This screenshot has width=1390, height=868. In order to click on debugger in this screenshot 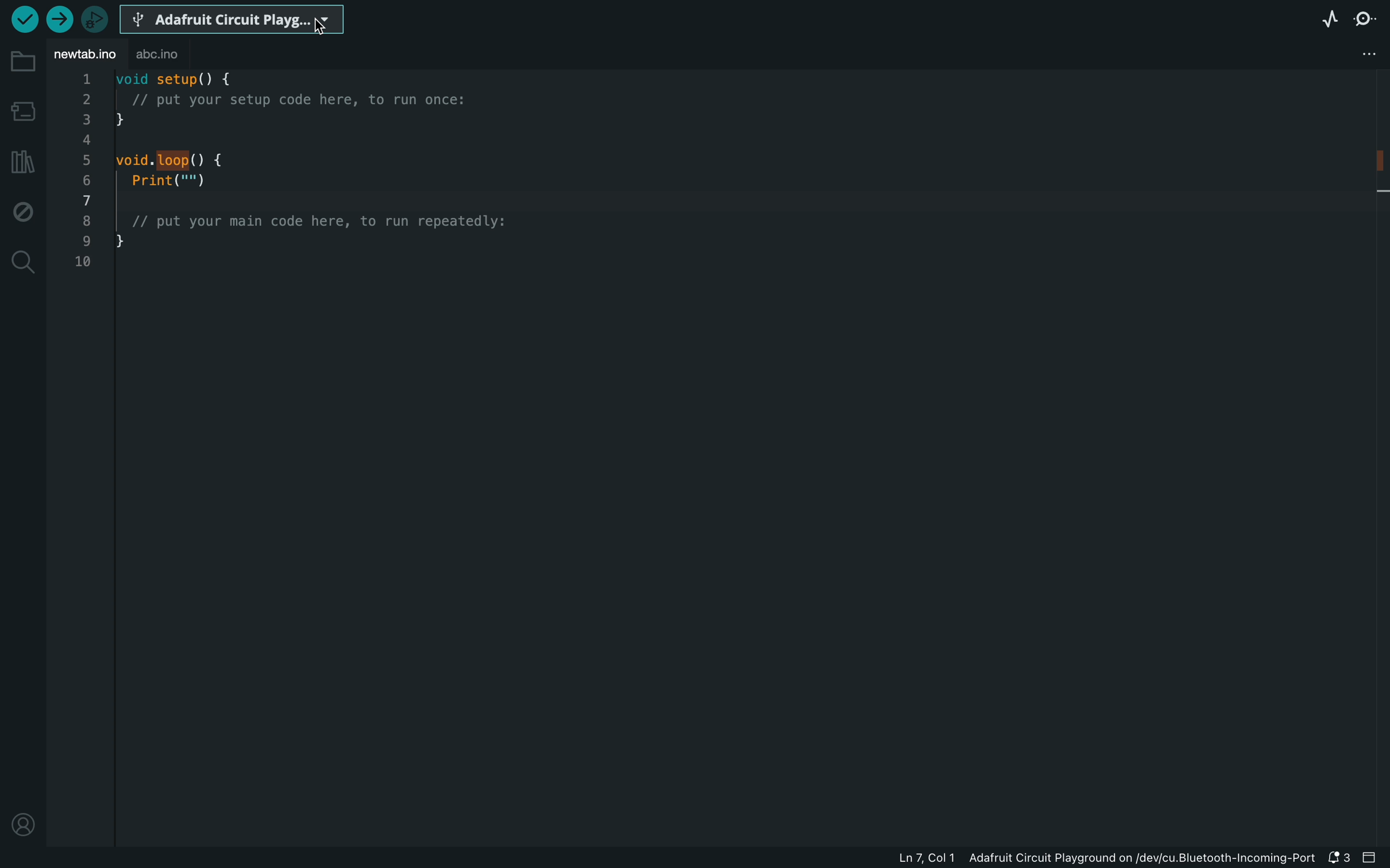, I will do `click(93, 18)`.